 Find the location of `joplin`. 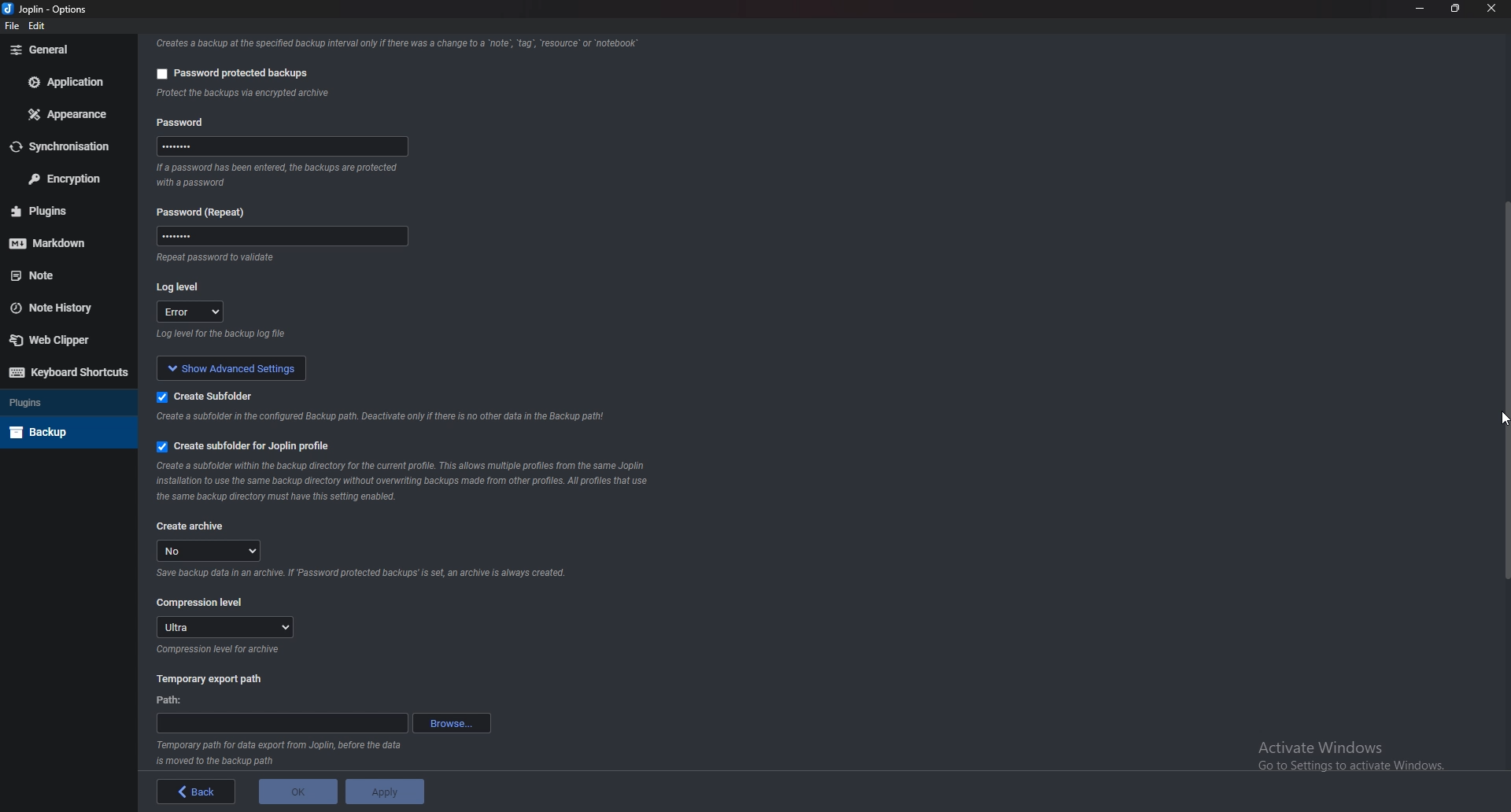

joplin is located at coordinates (28, 10).